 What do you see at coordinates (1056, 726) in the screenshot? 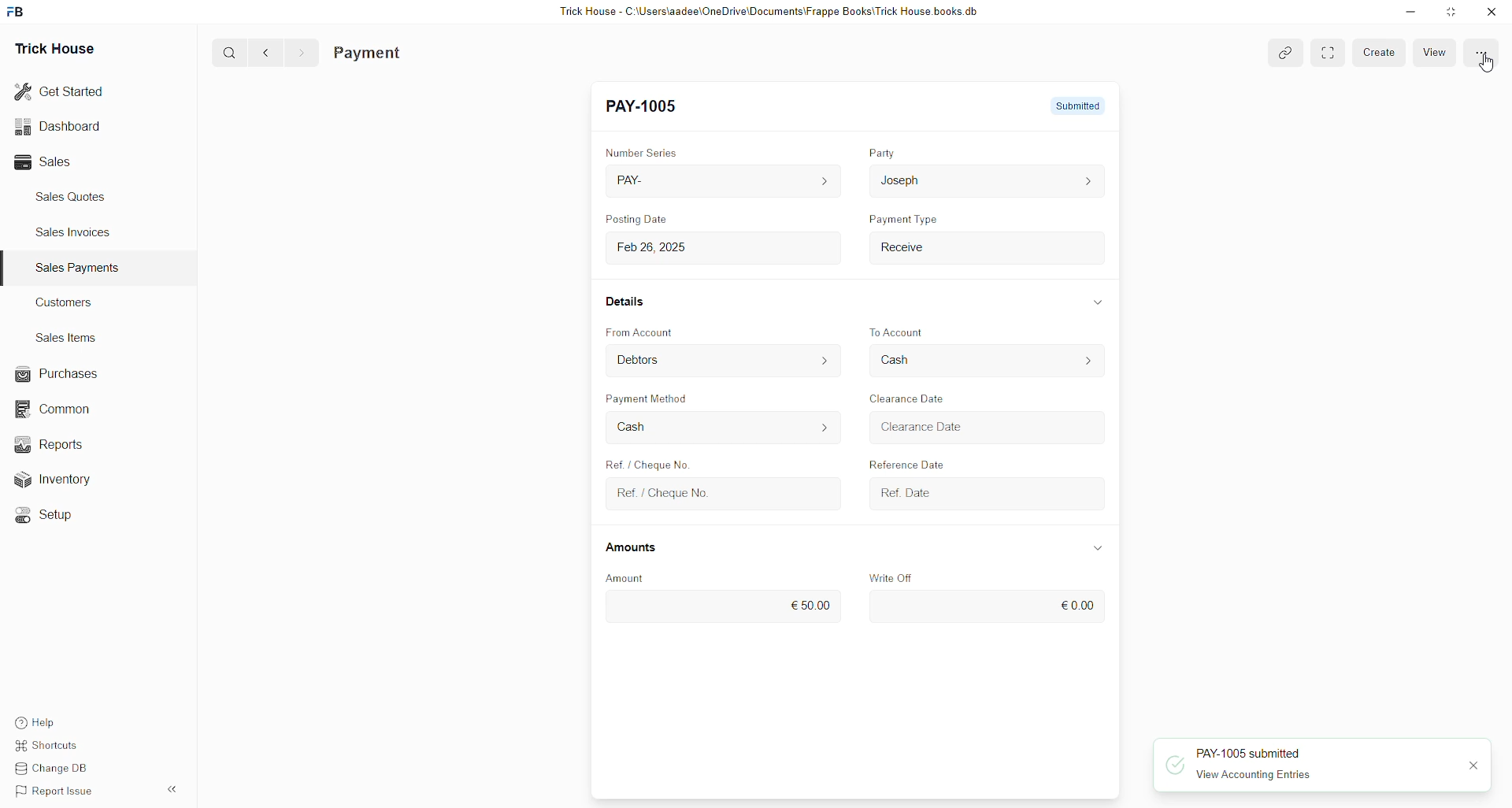
I see `Amount` at bounding box center [1056, 726].